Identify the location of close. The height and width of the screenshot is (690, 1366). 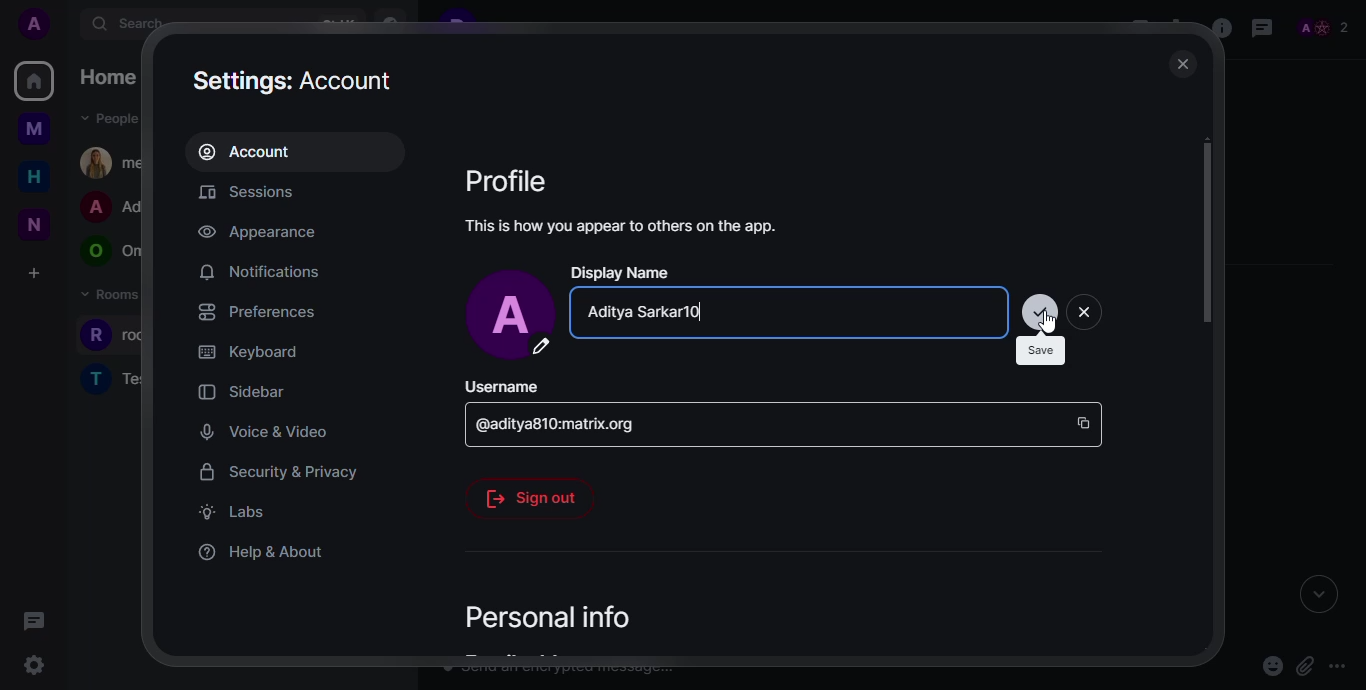
(1181, 64).